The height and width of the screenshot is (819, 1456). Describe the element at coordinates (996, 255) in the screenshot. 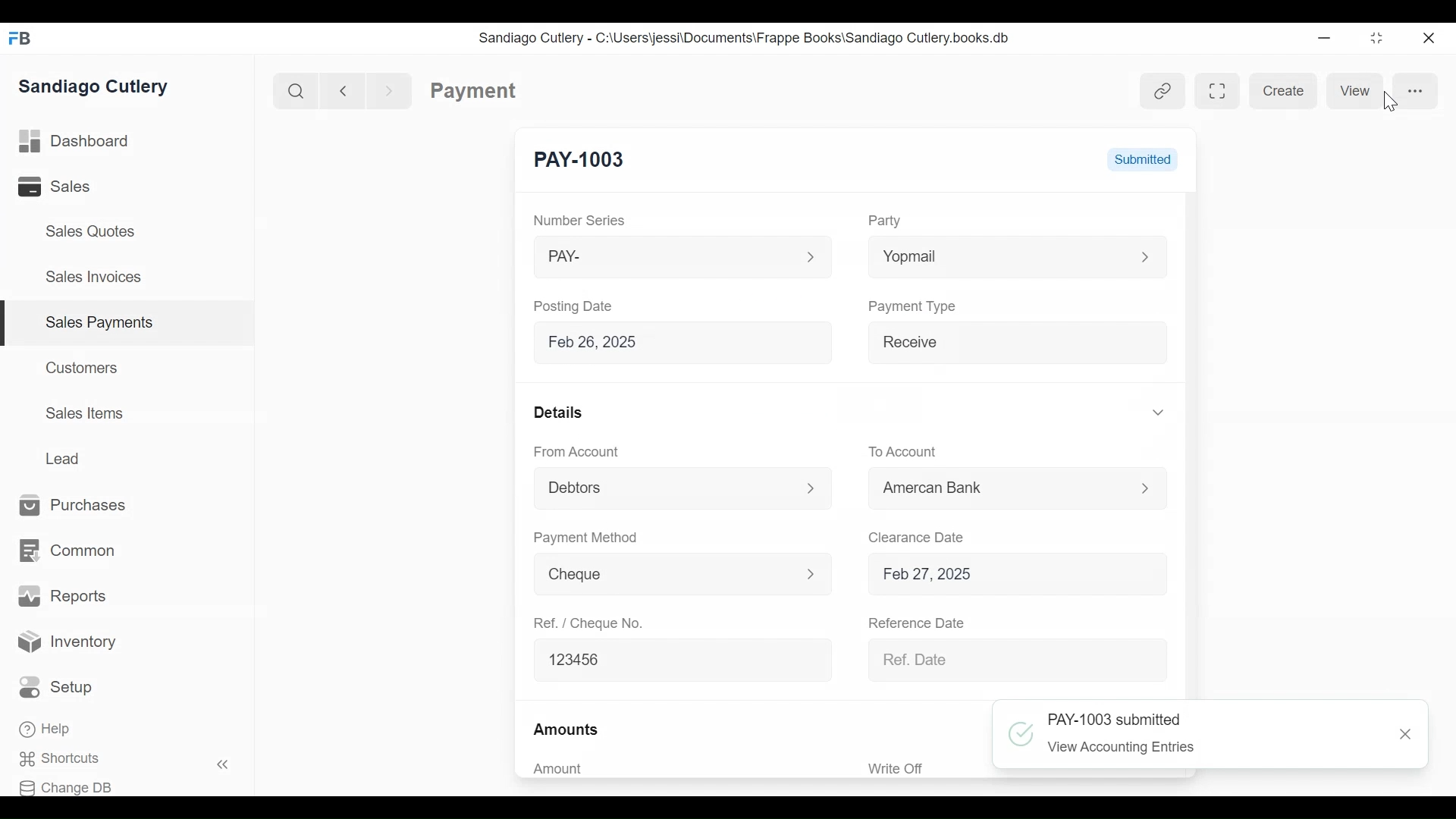

I see `Yopmail` at that location.